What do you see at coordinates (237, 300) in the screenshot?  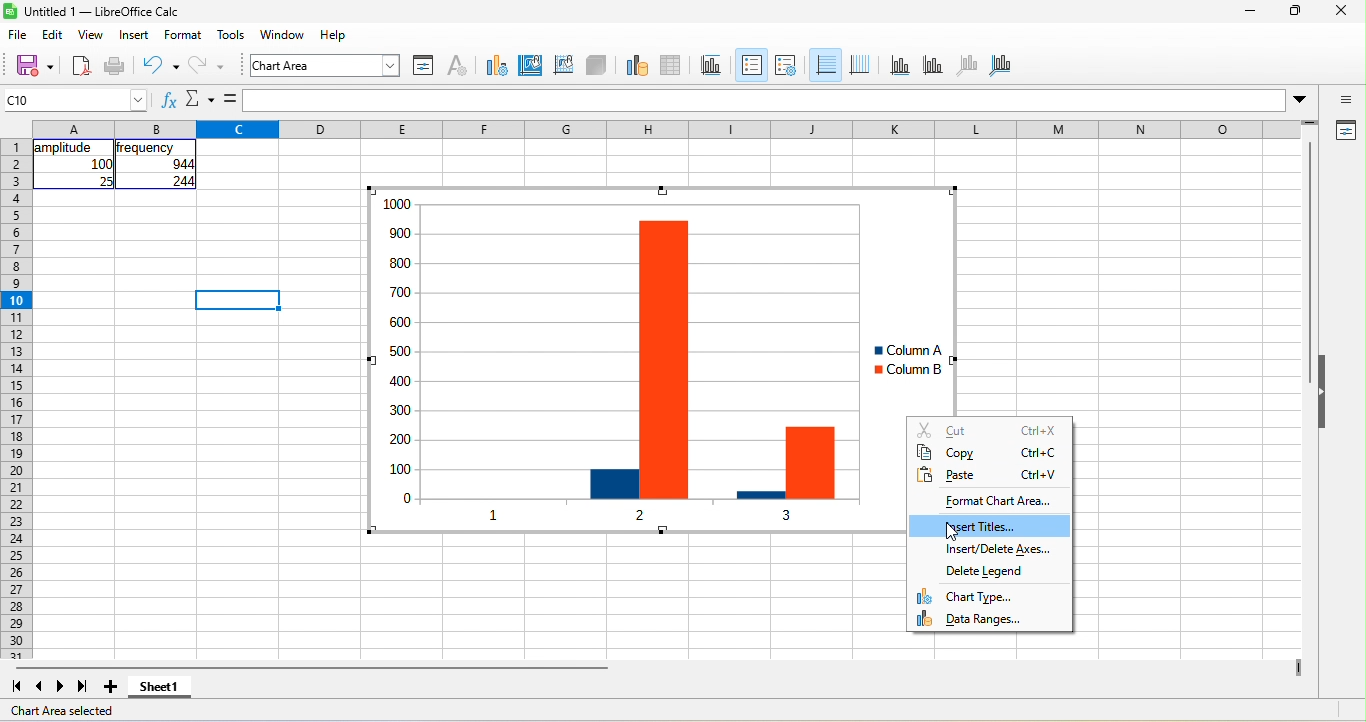 I see `Selected cell highlighted` at bounding box center [237, 300].